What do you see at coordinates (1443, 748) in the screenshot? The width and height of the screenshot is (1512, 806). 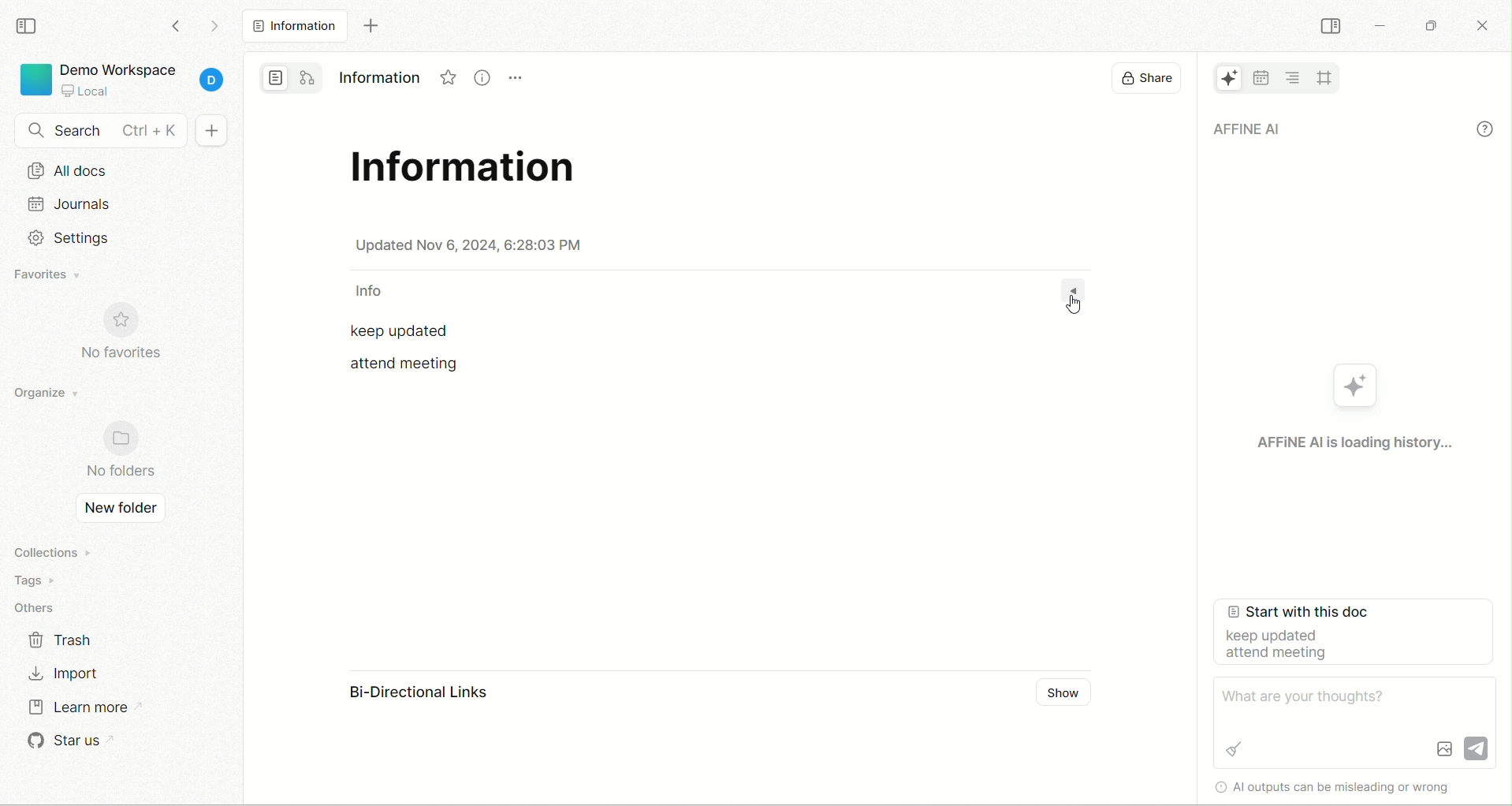 I see `Image` at bounding box center [1443, 748].